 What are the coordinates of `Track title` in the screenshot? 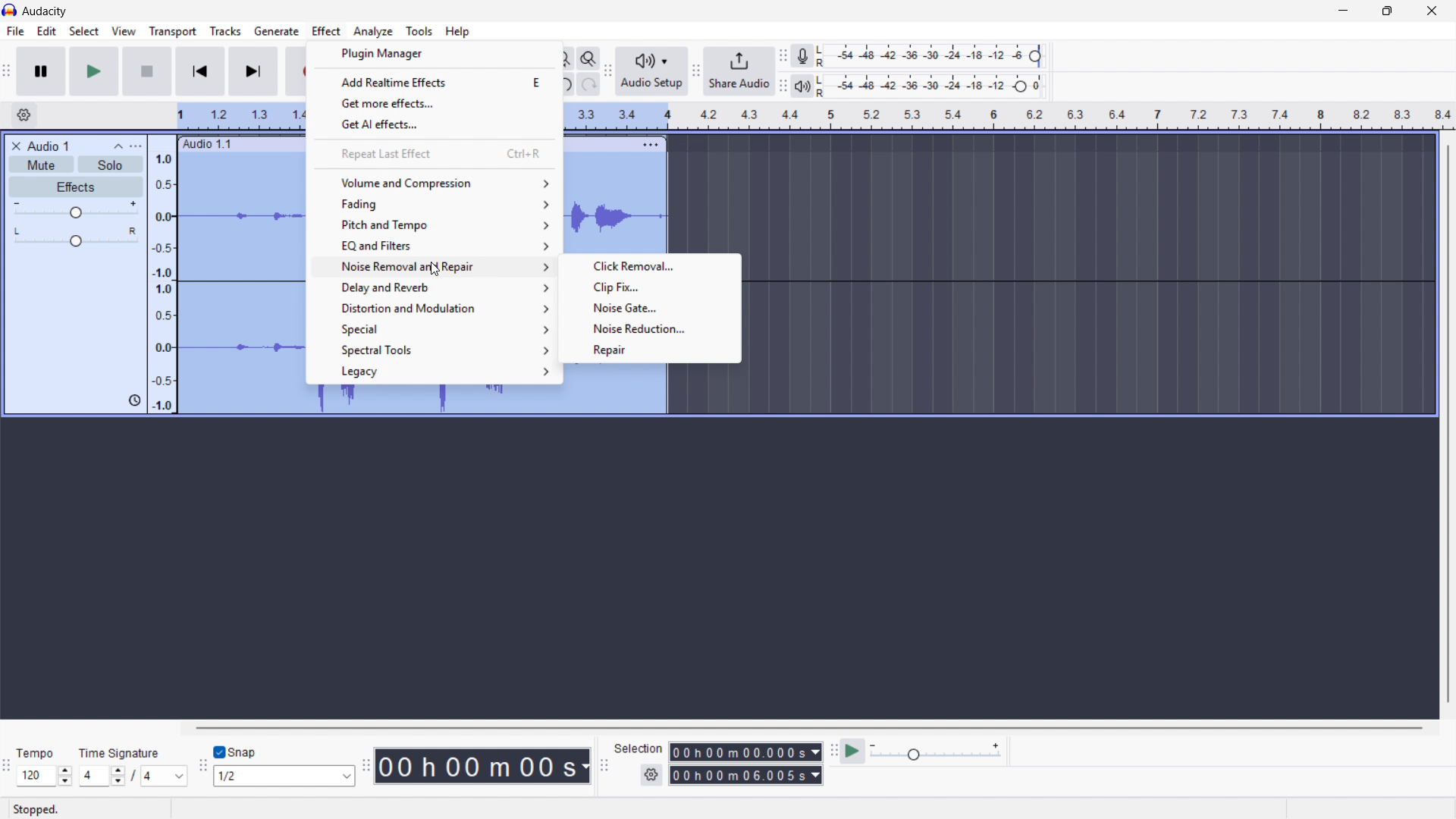 It's located at (49, 146).